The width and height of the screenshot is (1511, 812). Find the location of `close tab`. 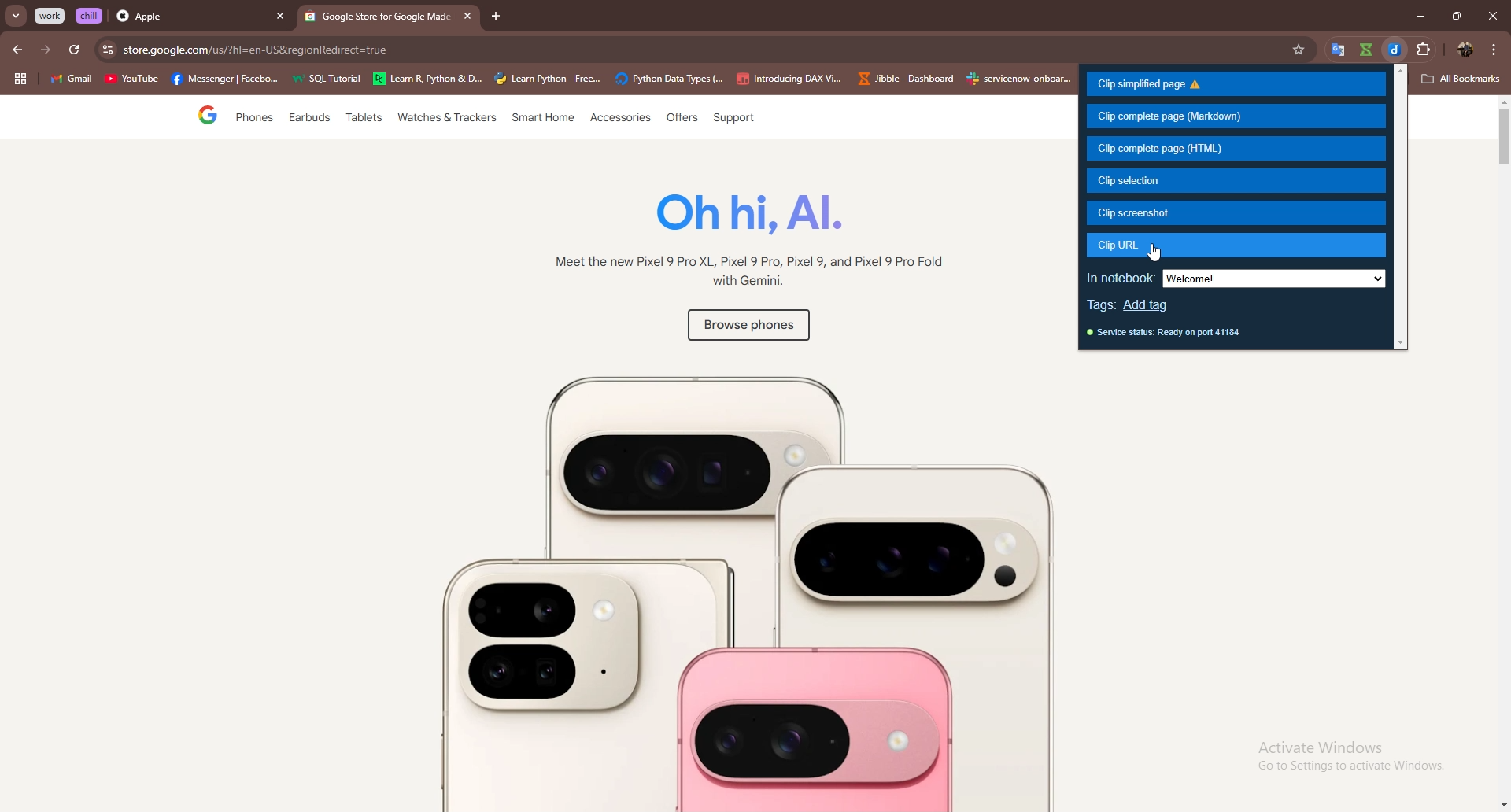

close tab is located at coordinates (465, 16).